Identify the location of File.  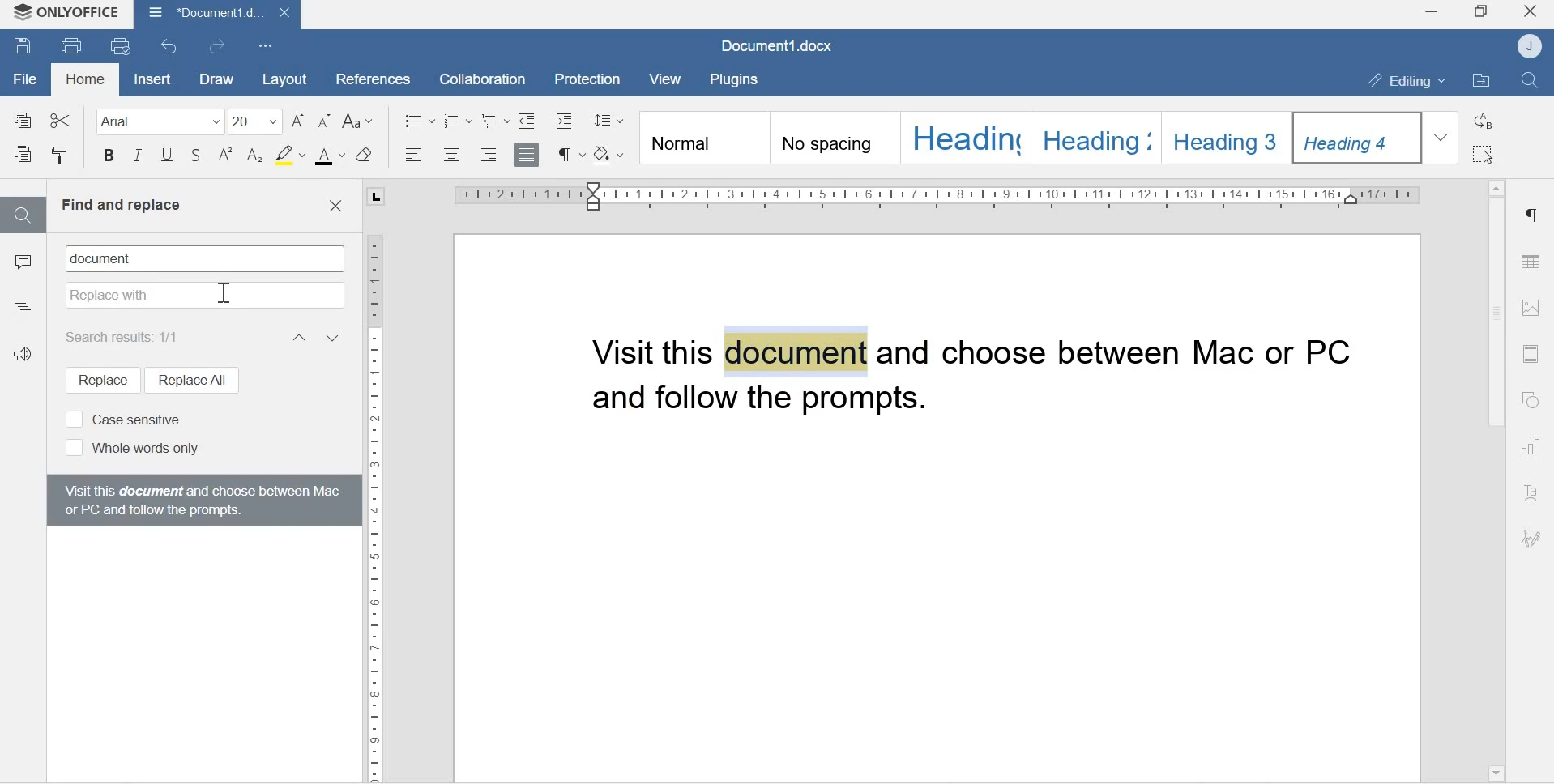
(25, 79).